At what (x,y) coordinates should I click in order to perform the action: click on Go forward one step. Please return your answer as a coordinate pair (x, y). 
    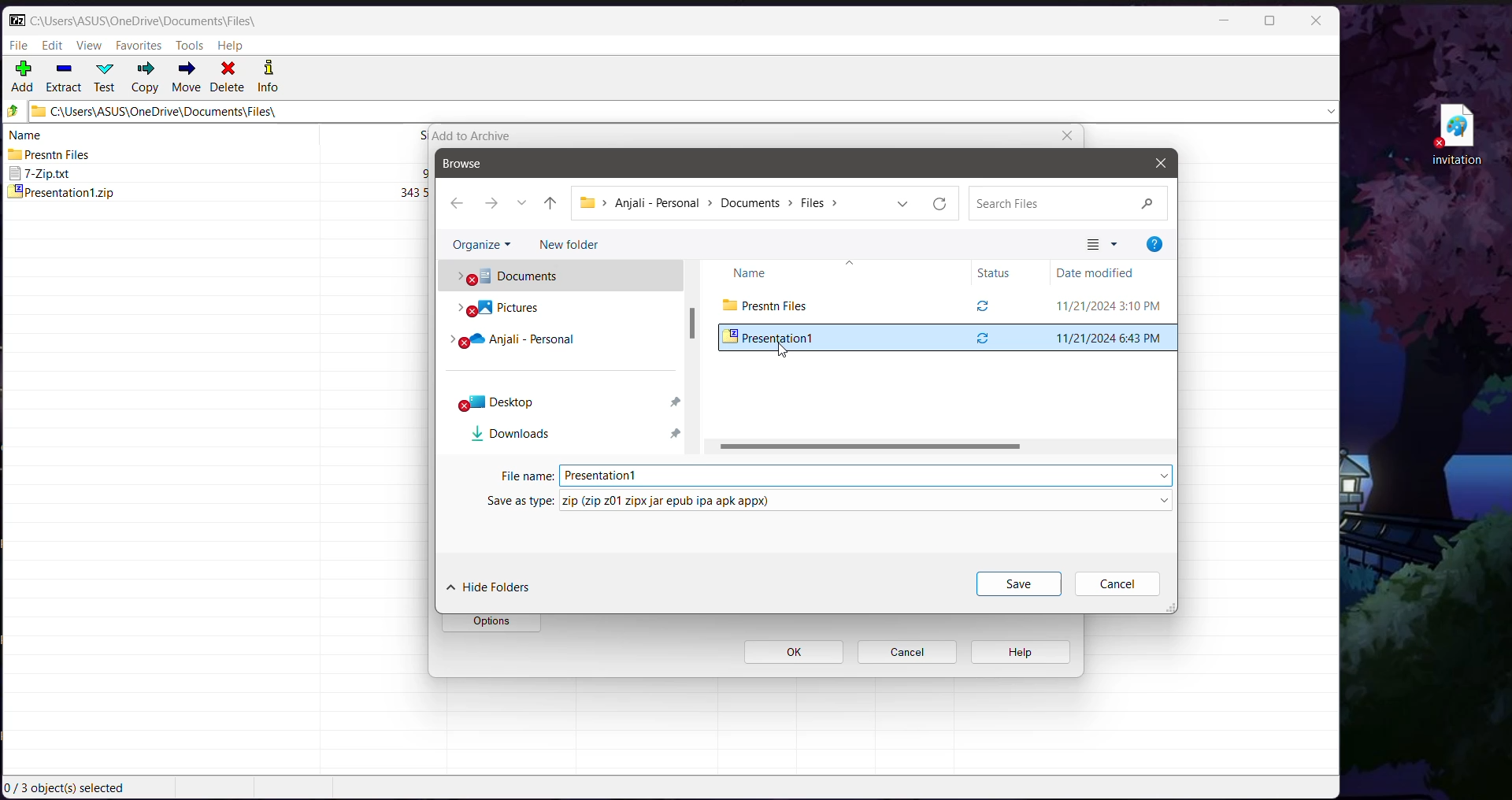
    Looking at the image, I should click on (494, 204).